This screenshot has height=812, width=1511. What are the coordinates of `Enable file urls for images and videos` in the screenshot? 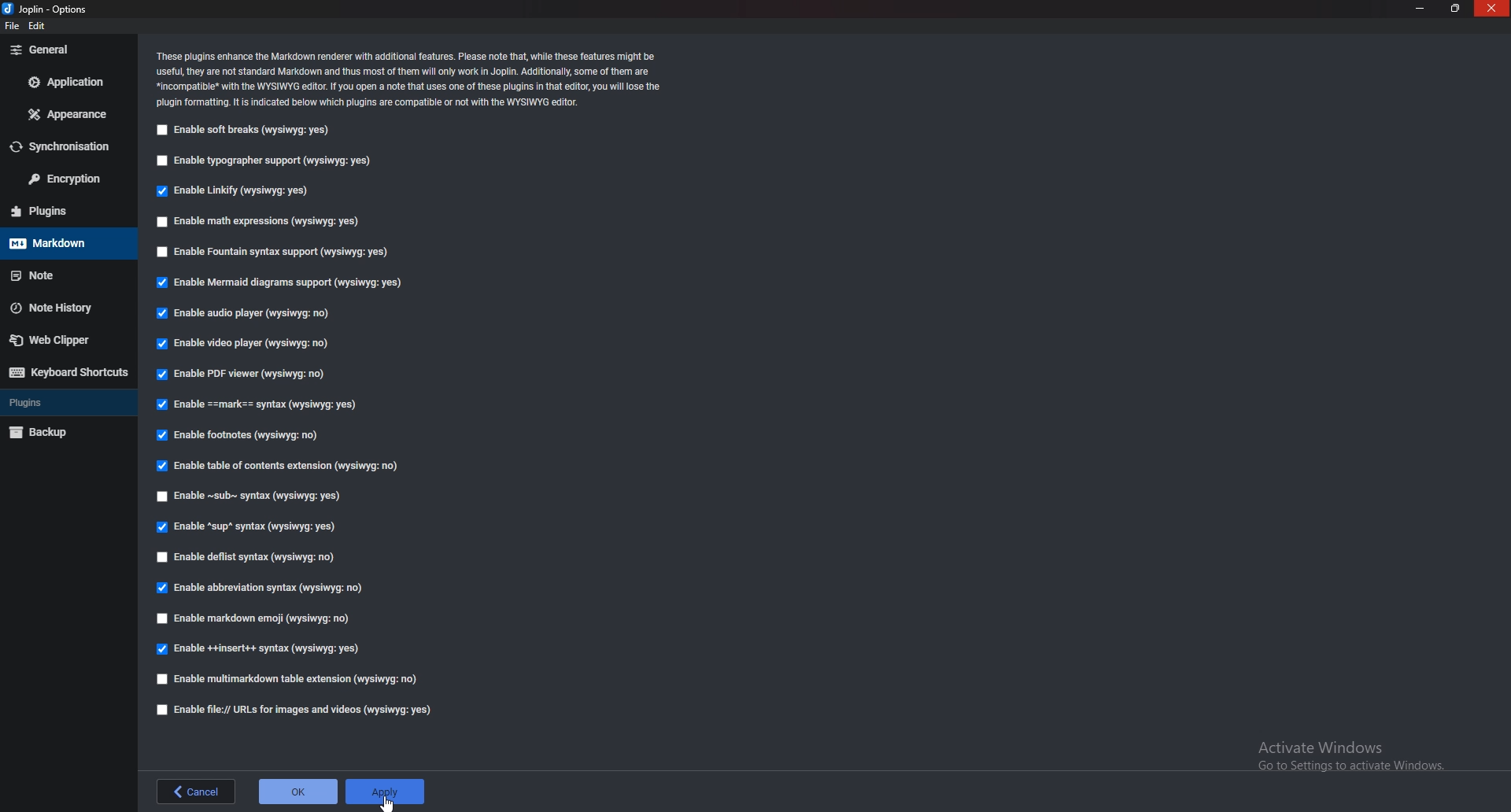 It's located at (296, 710).